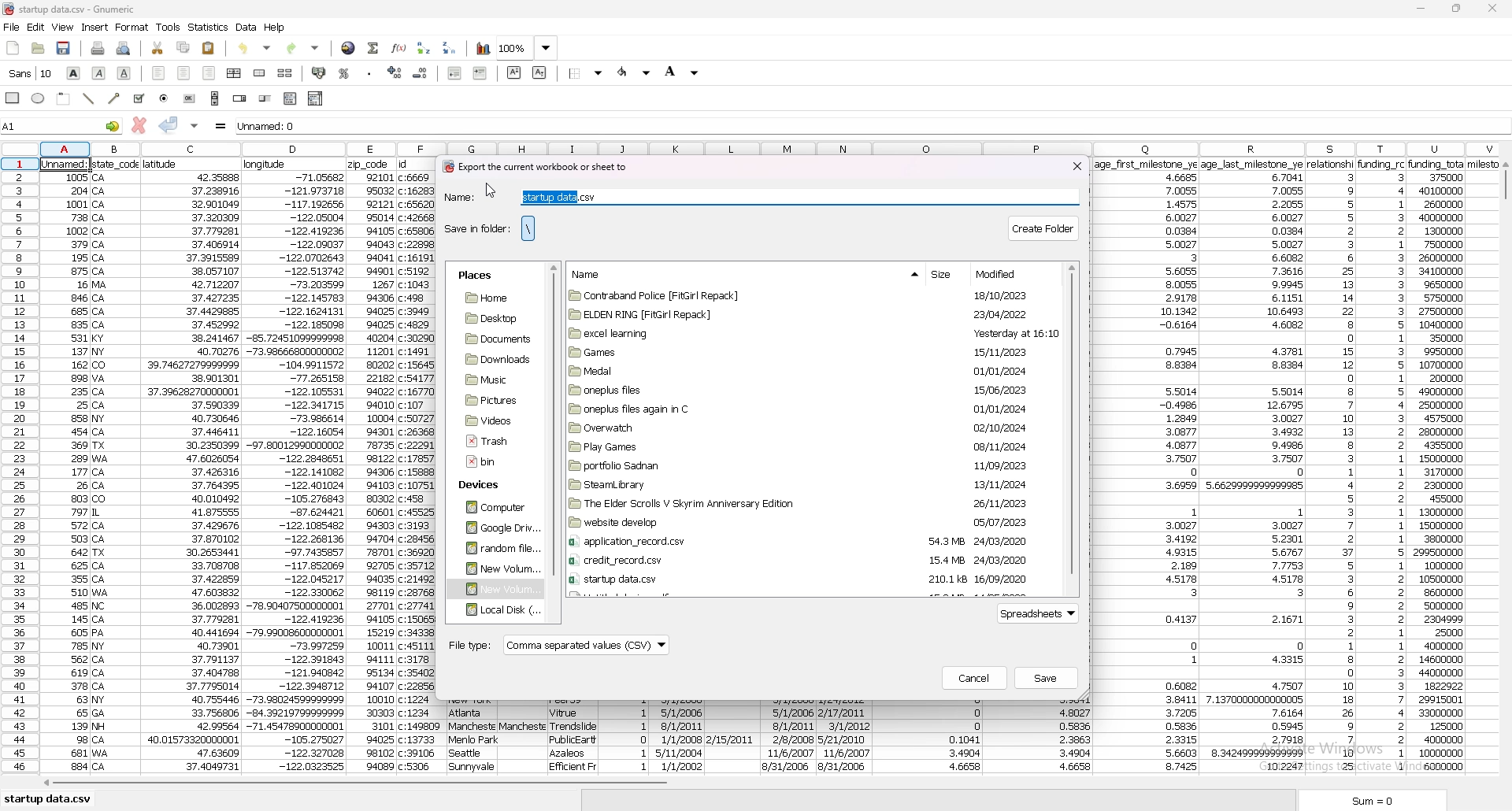 This screenshot has width=1512, height=811. Describe the element at coordinates (373, 48) in the screenshot. I see `summation` at that location.